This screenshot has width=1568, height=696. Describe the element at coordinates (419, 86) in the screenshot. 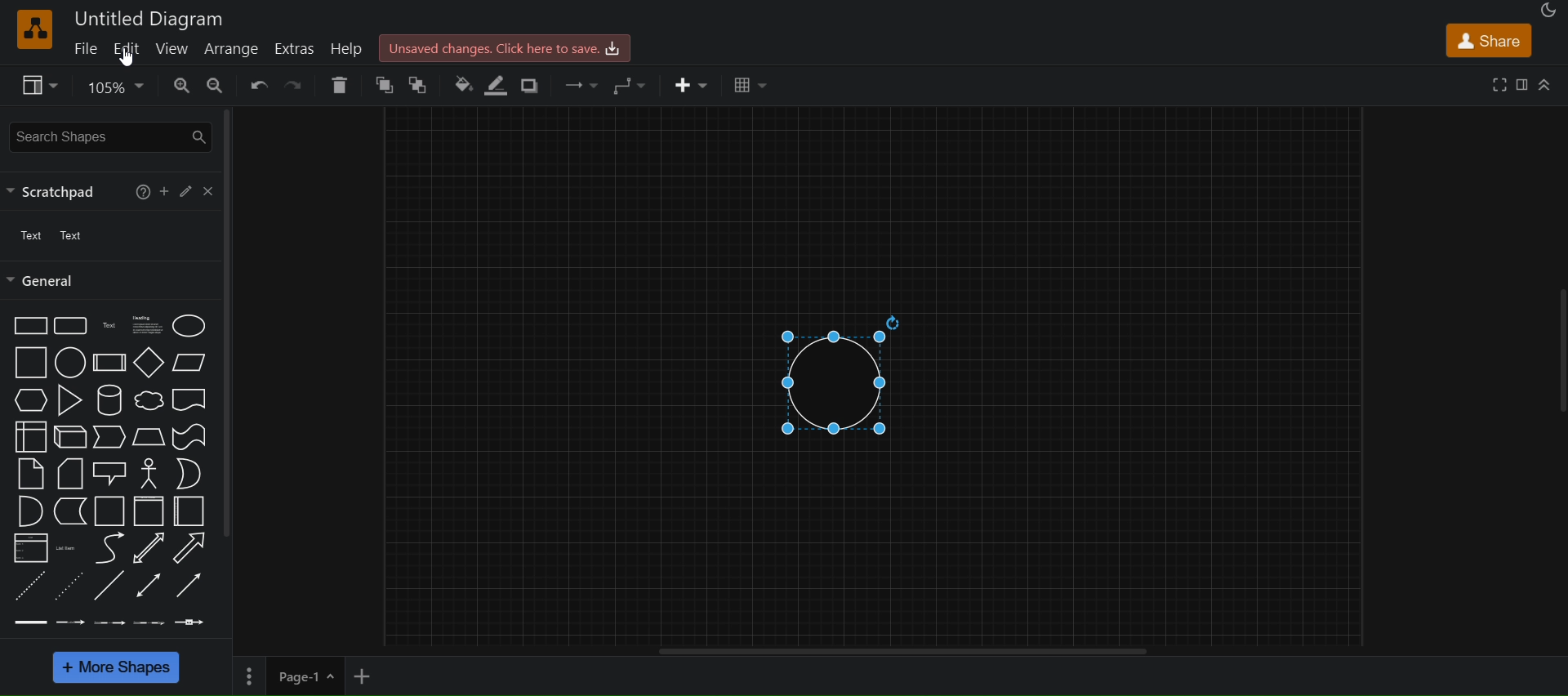

I see `to` at that location.